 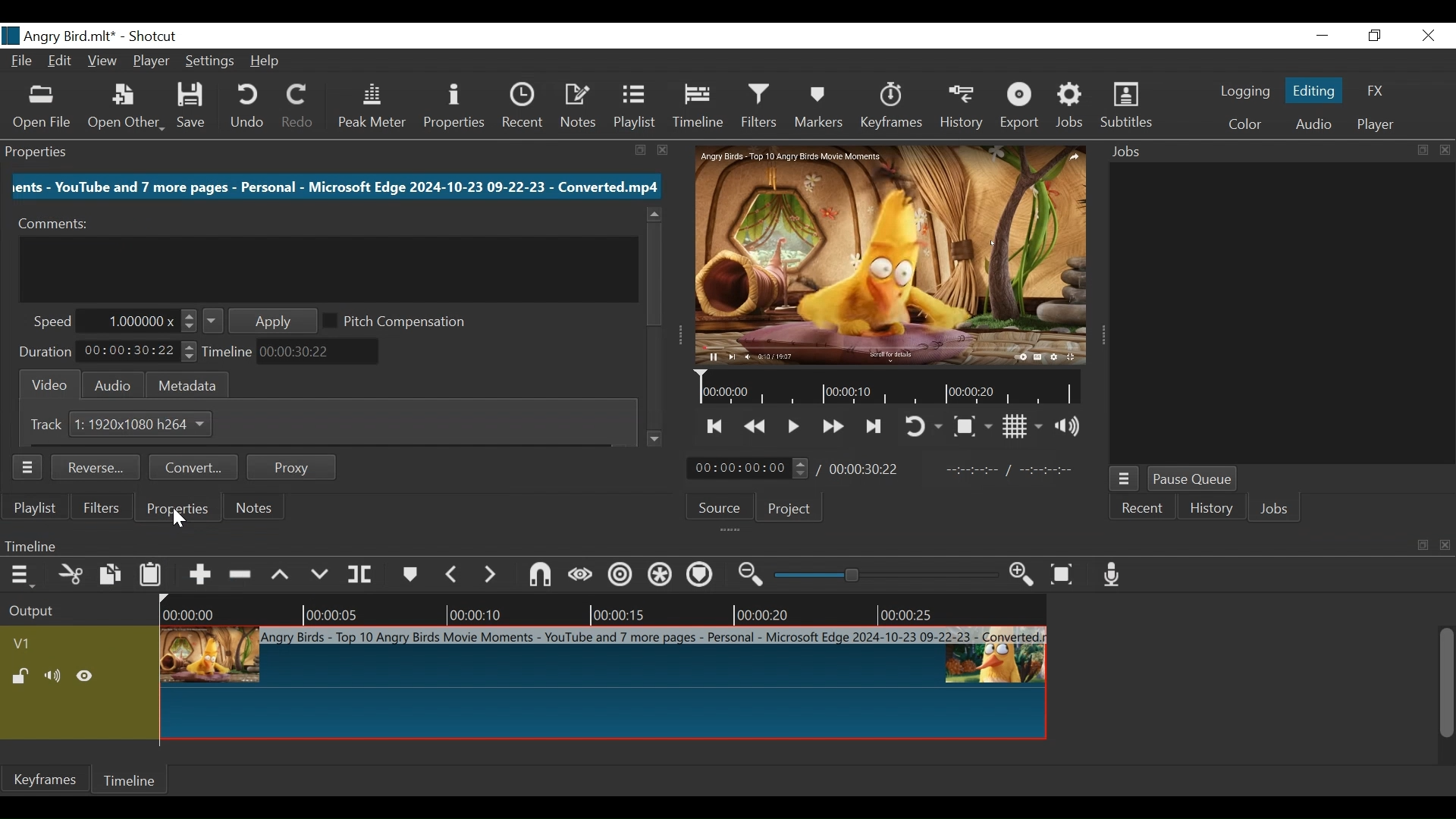 I want to click on Scrub while dragging, so click(x=580, y=576).